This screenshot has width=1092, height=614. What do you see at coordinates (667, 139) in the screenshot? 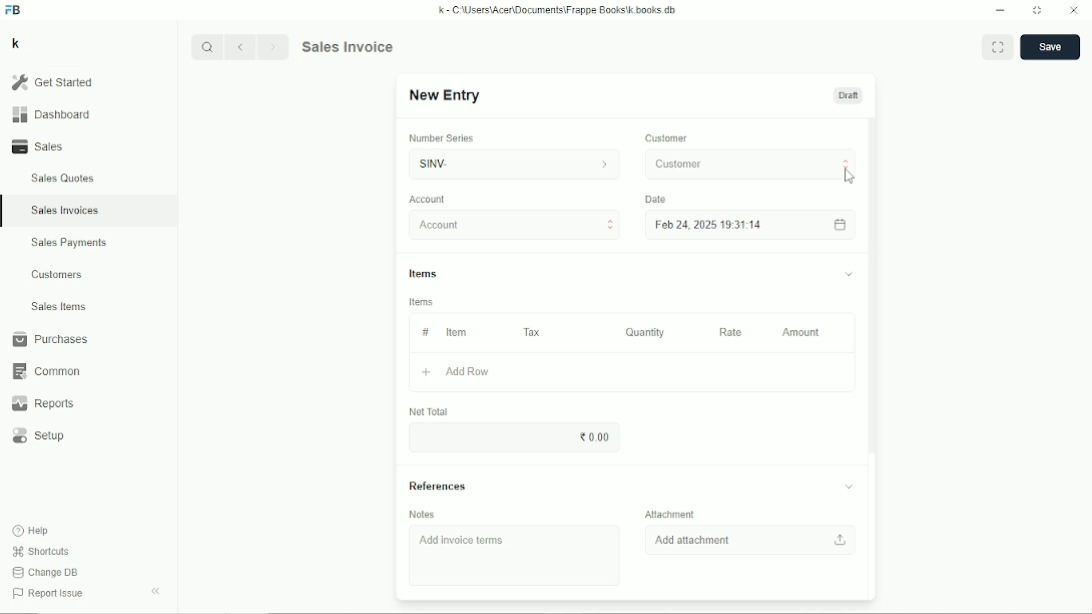
I see `Customer` at bounding box center [667, 139].